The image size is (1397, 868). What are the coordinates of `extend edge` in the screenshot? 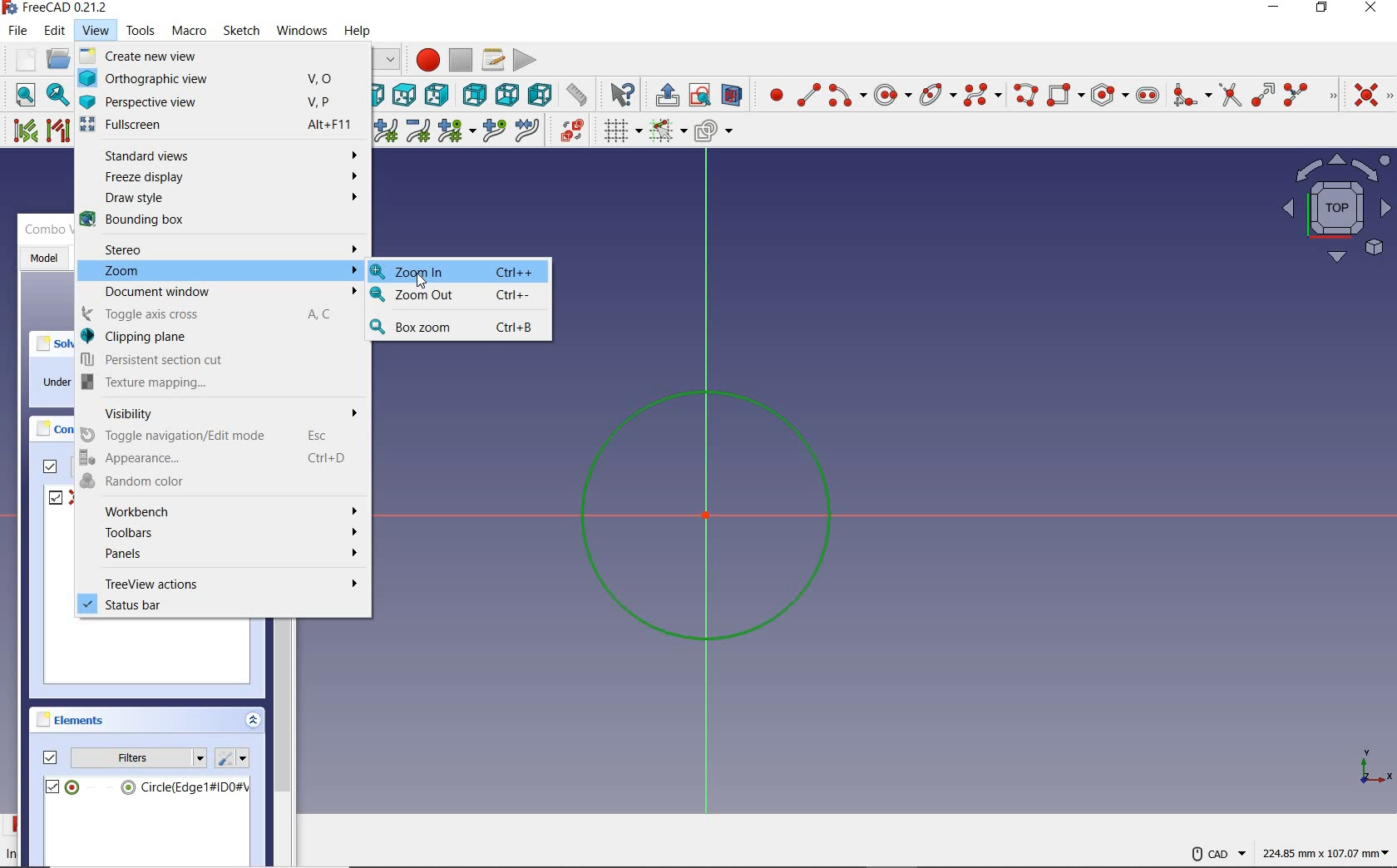 It's located at (1263, 93).